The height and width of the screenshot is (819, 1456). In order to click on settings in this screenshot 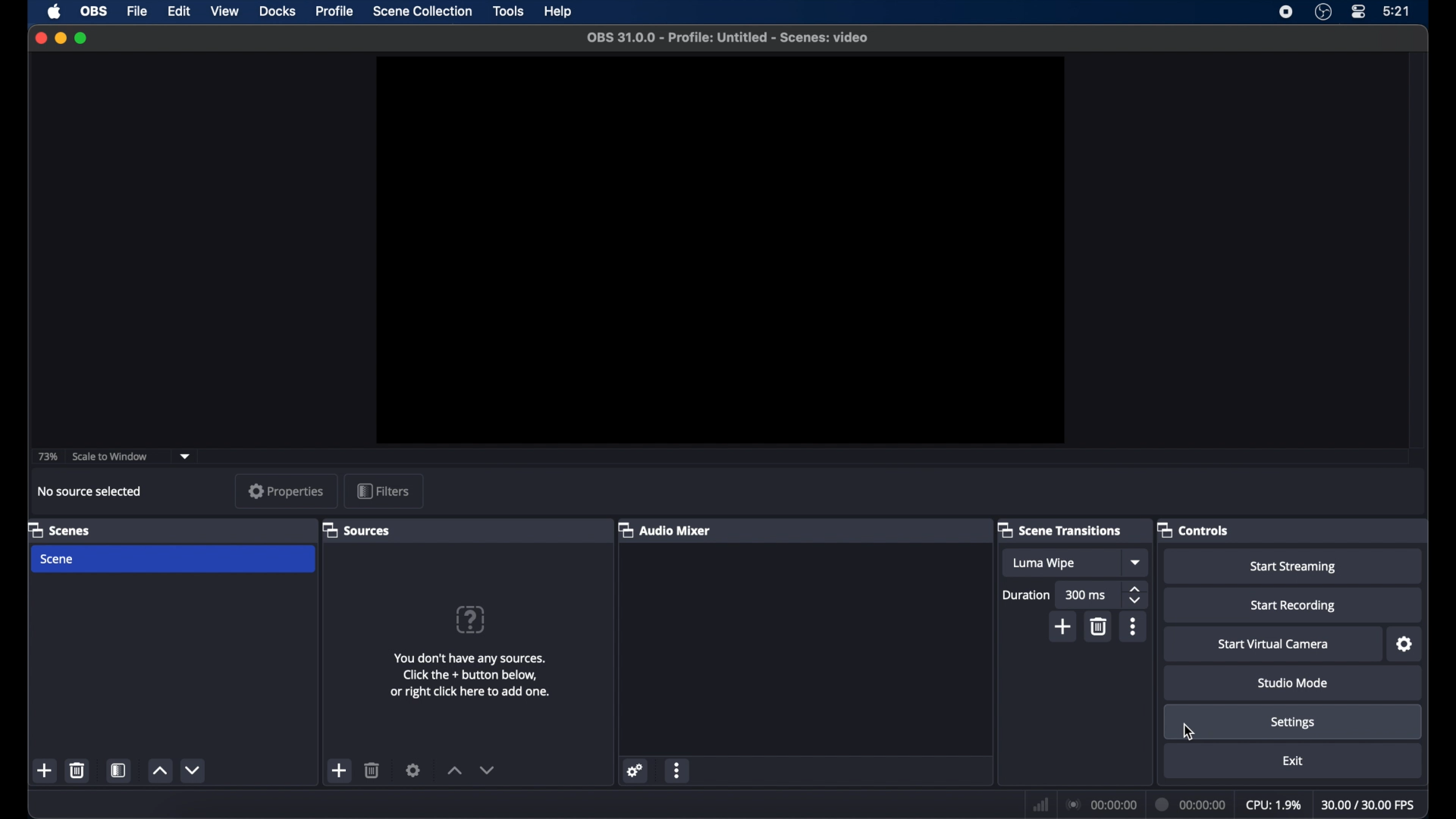, I will do `click(635, 770)`.